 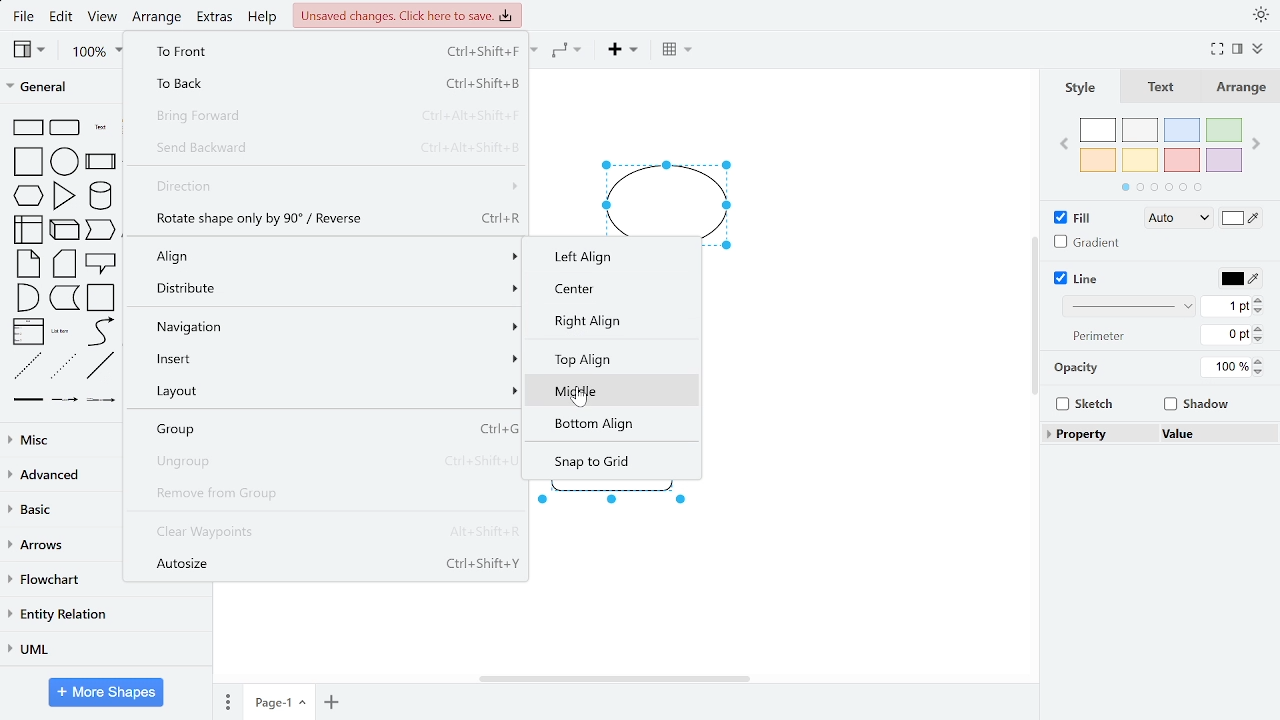 I want to click on Navigation, so click(x=326, y=327).